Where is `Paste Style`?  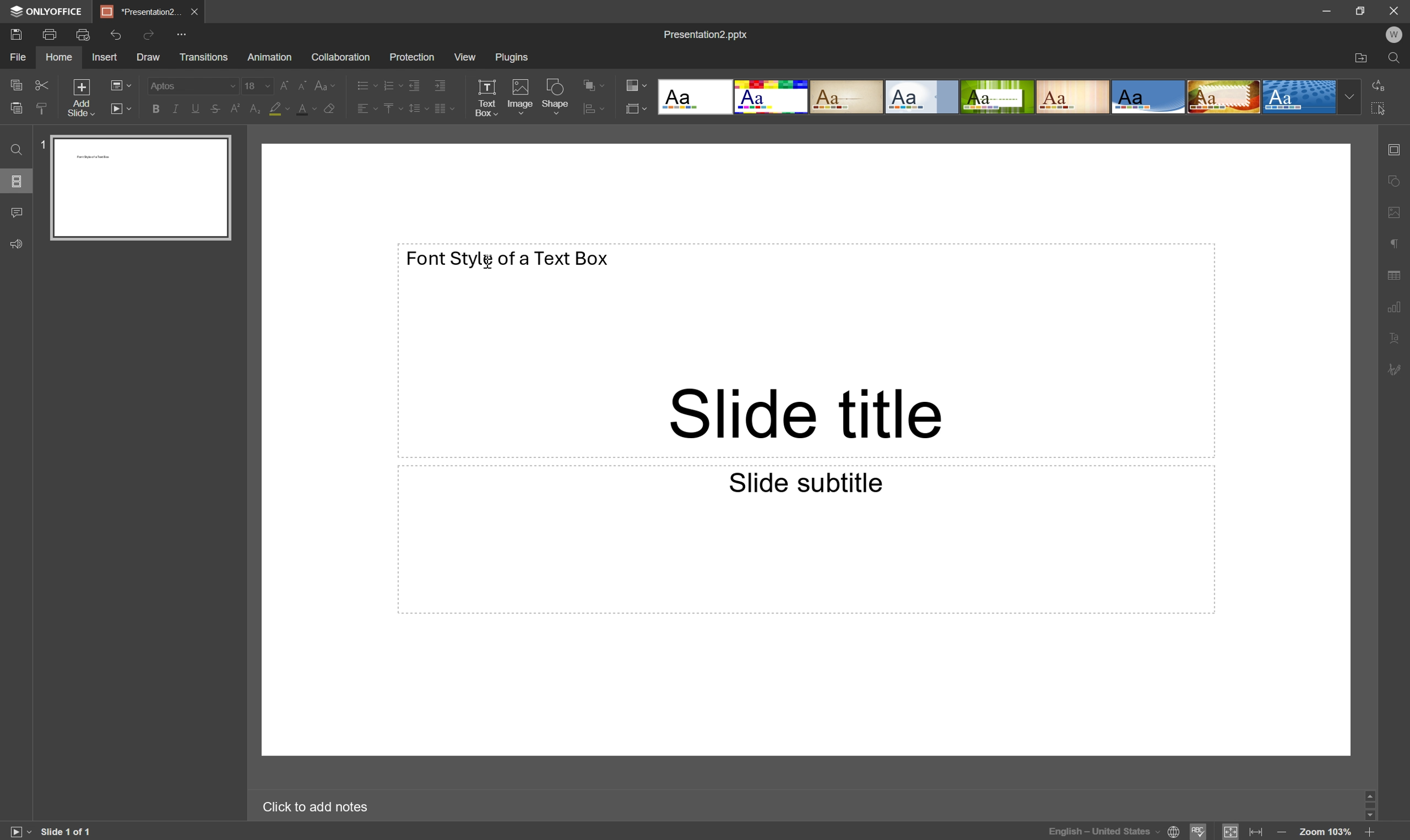 Paste Style is located at coordinates (43, 108).